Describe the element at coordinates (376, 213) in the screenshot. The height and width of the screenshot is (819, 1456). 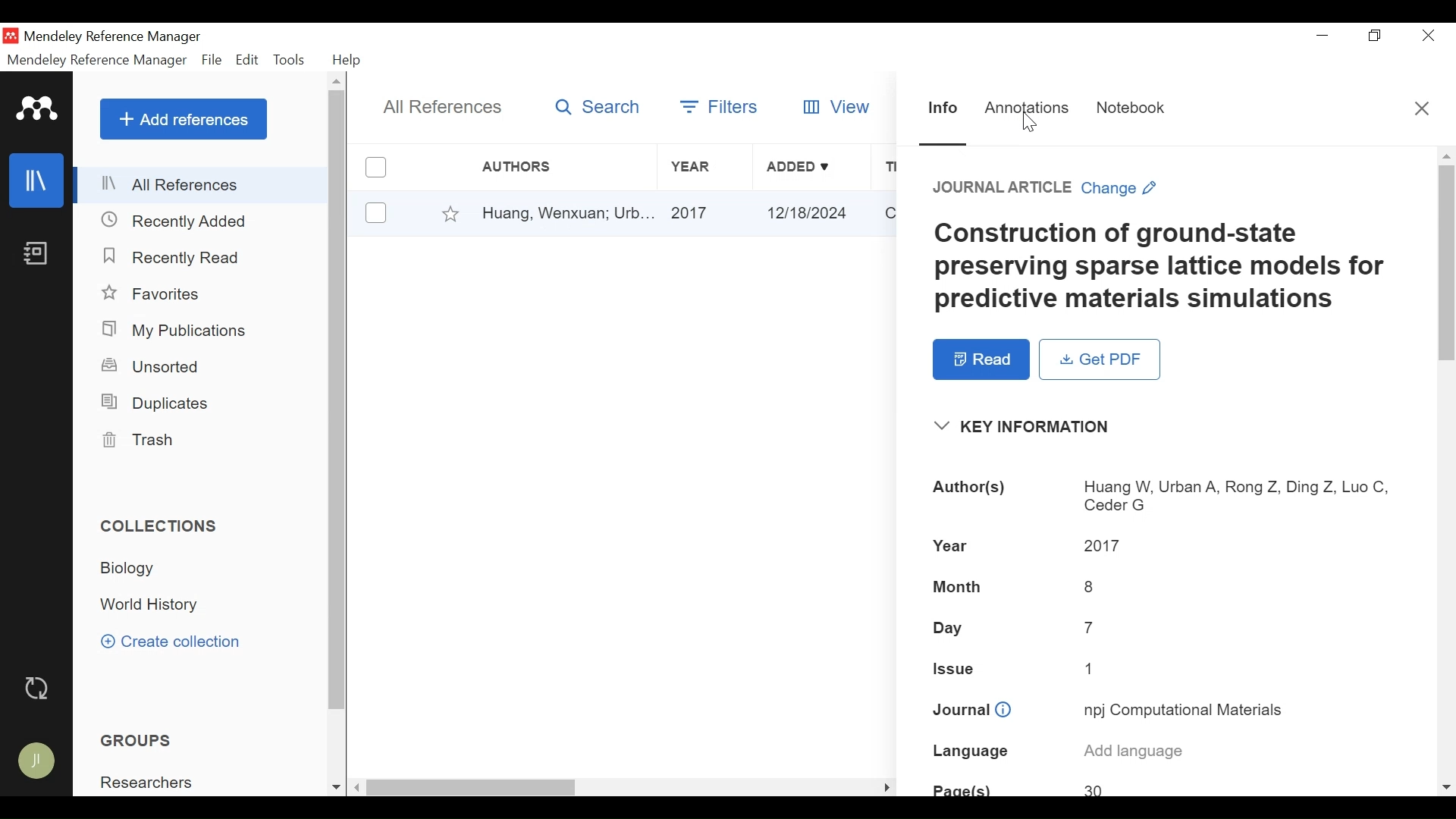
I see `(un)select` at that location.